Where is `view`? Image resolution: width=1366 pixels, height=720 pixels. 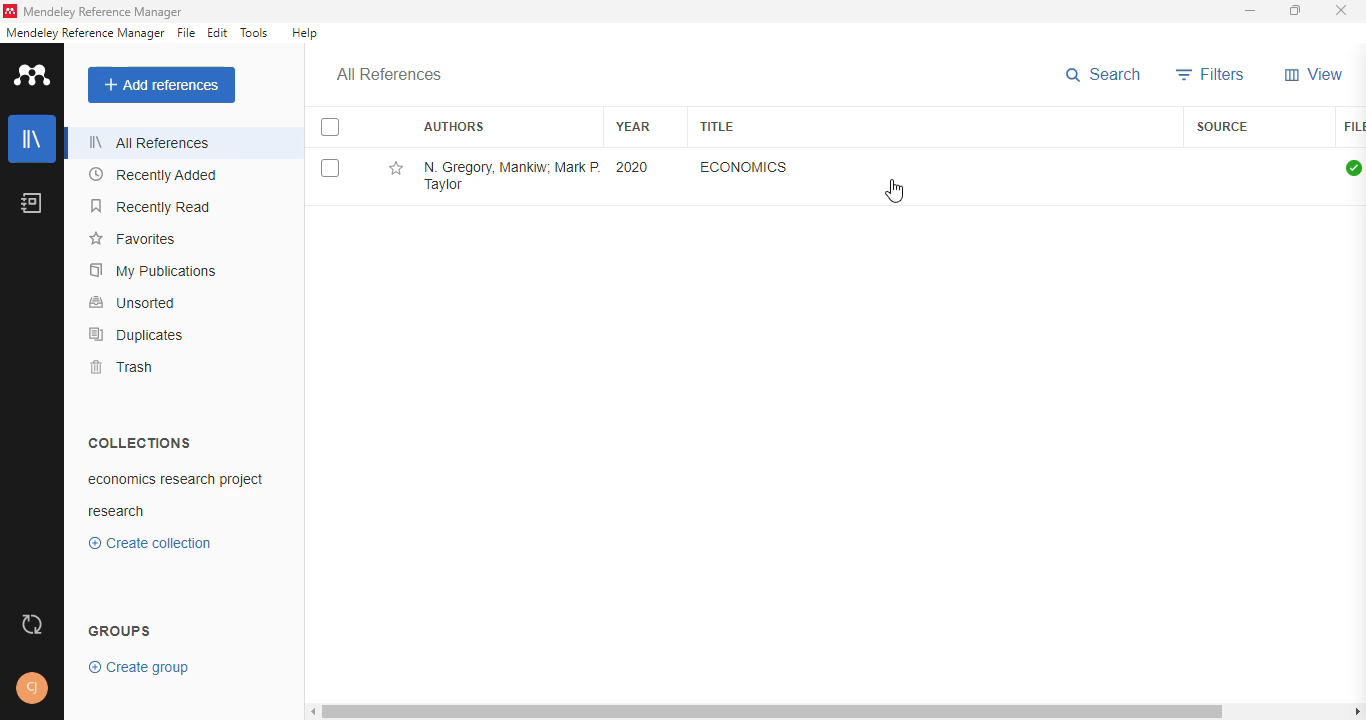 view is located at coordinates (1313, 74).